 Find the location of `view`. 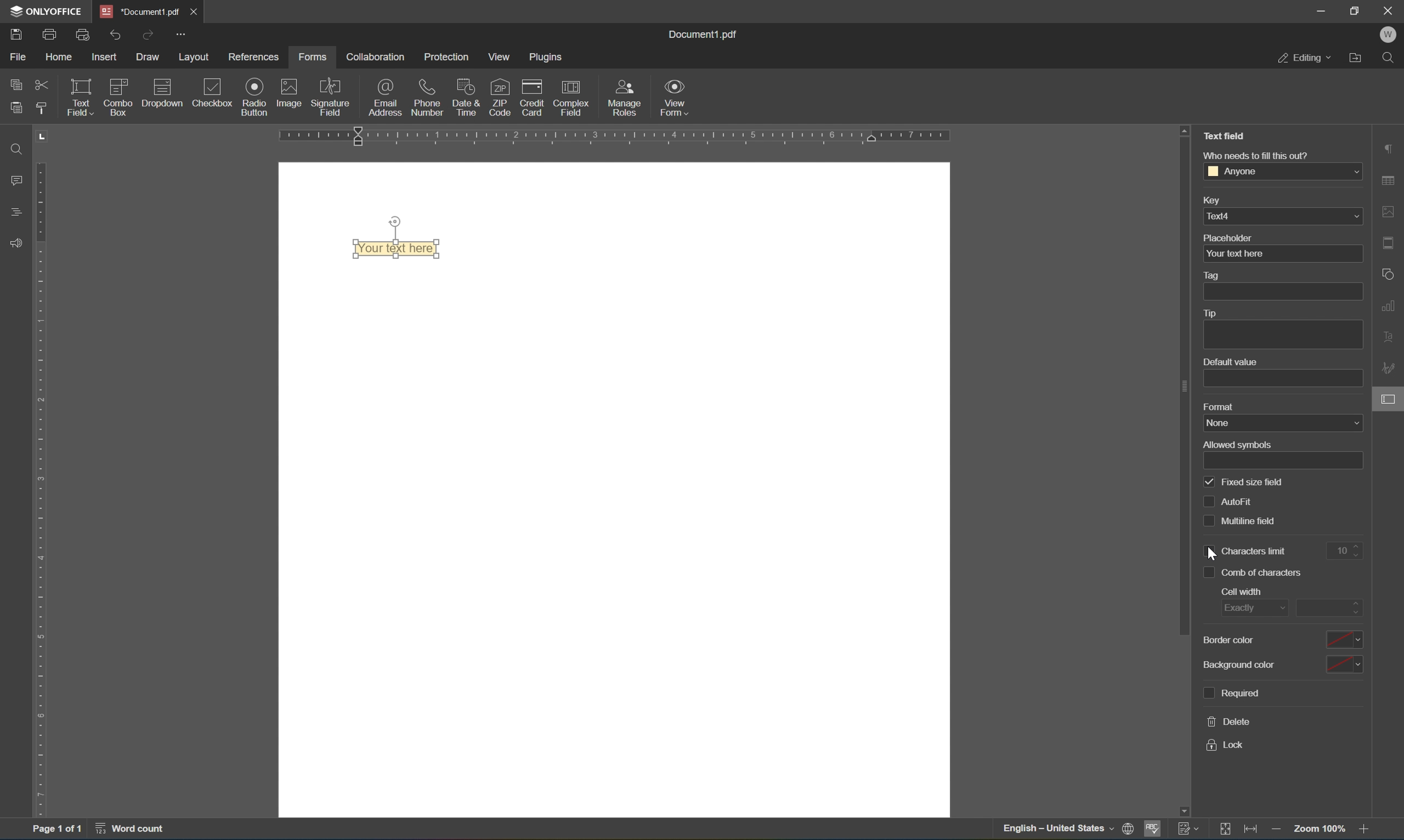

view is located at coordinates (497, 54).